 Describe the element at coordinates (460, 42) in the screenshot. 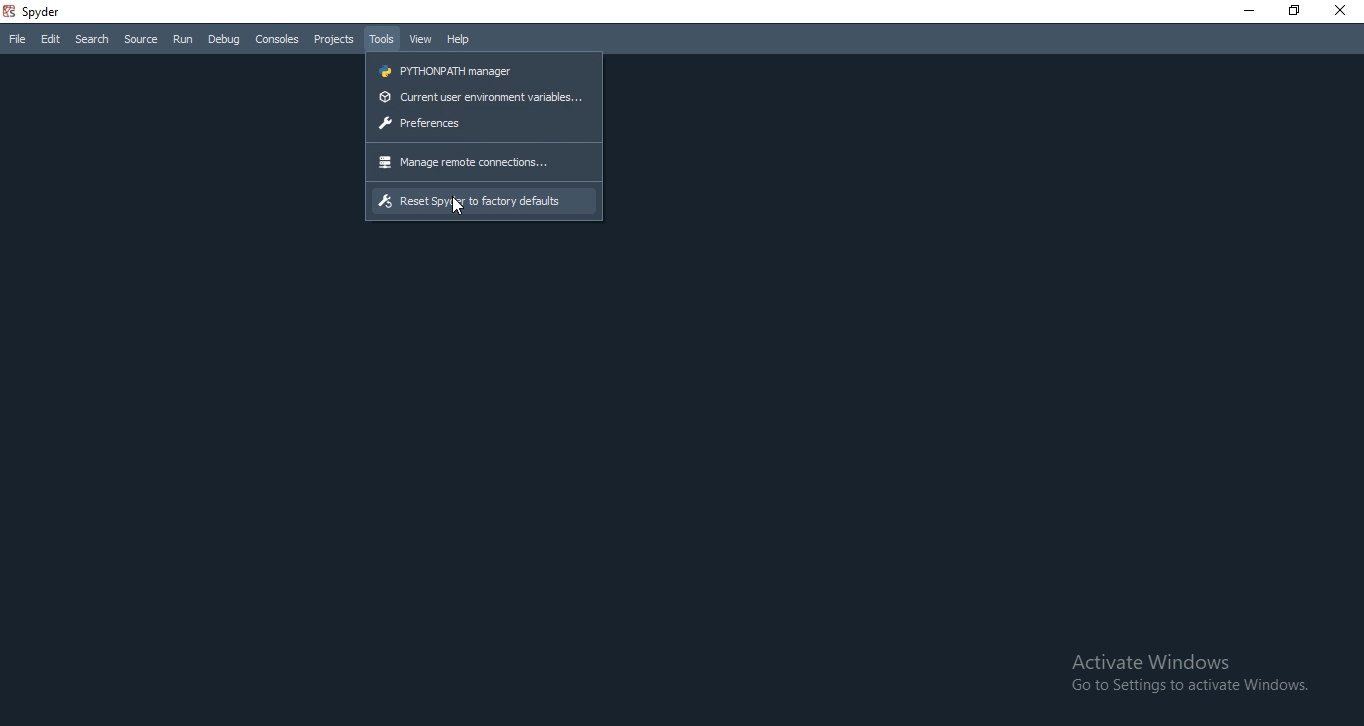

I see `Help` at that location.